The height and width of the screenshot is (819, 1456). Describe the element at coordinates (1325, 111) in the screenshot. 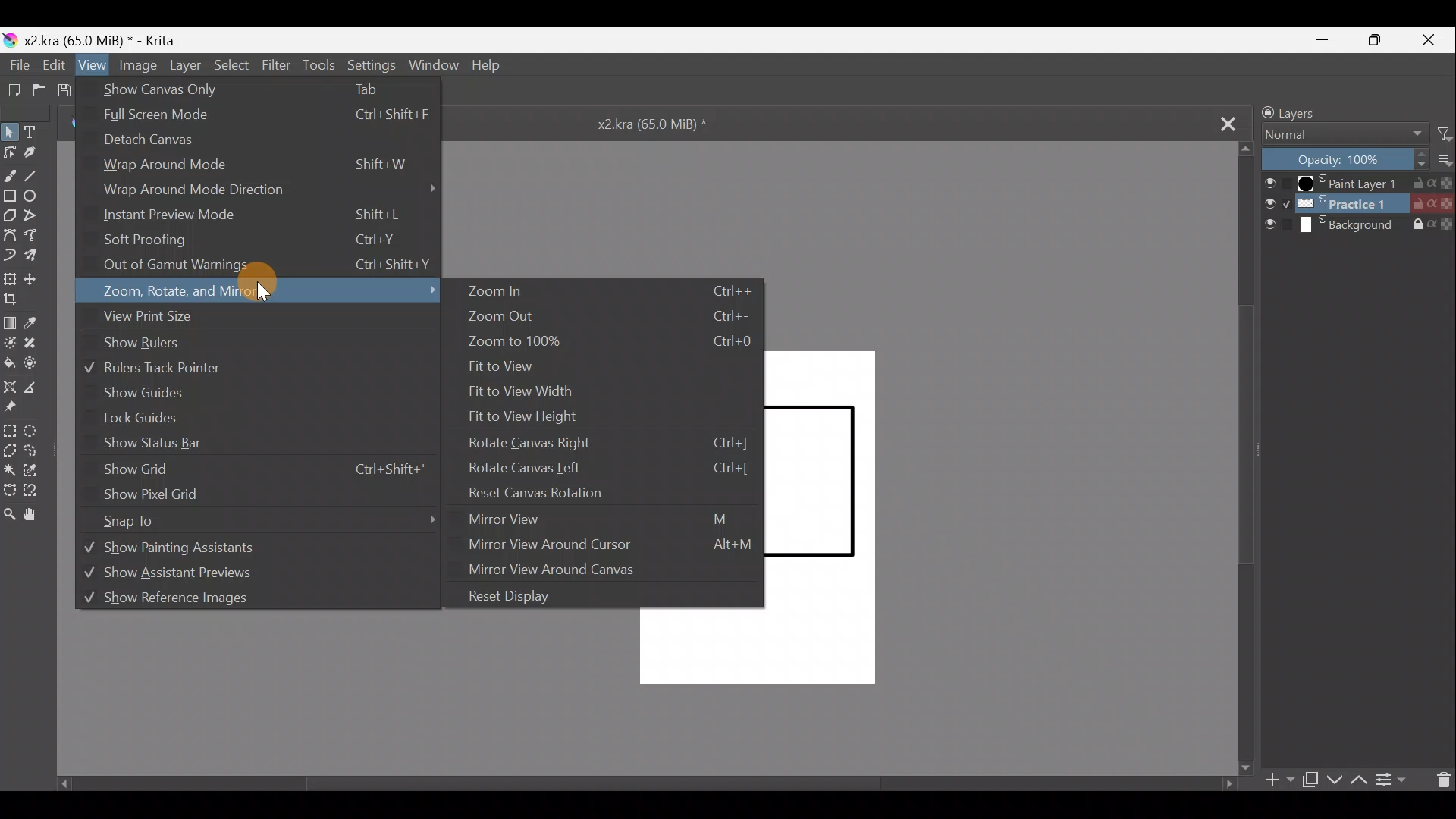

I see `Layers` at that location.